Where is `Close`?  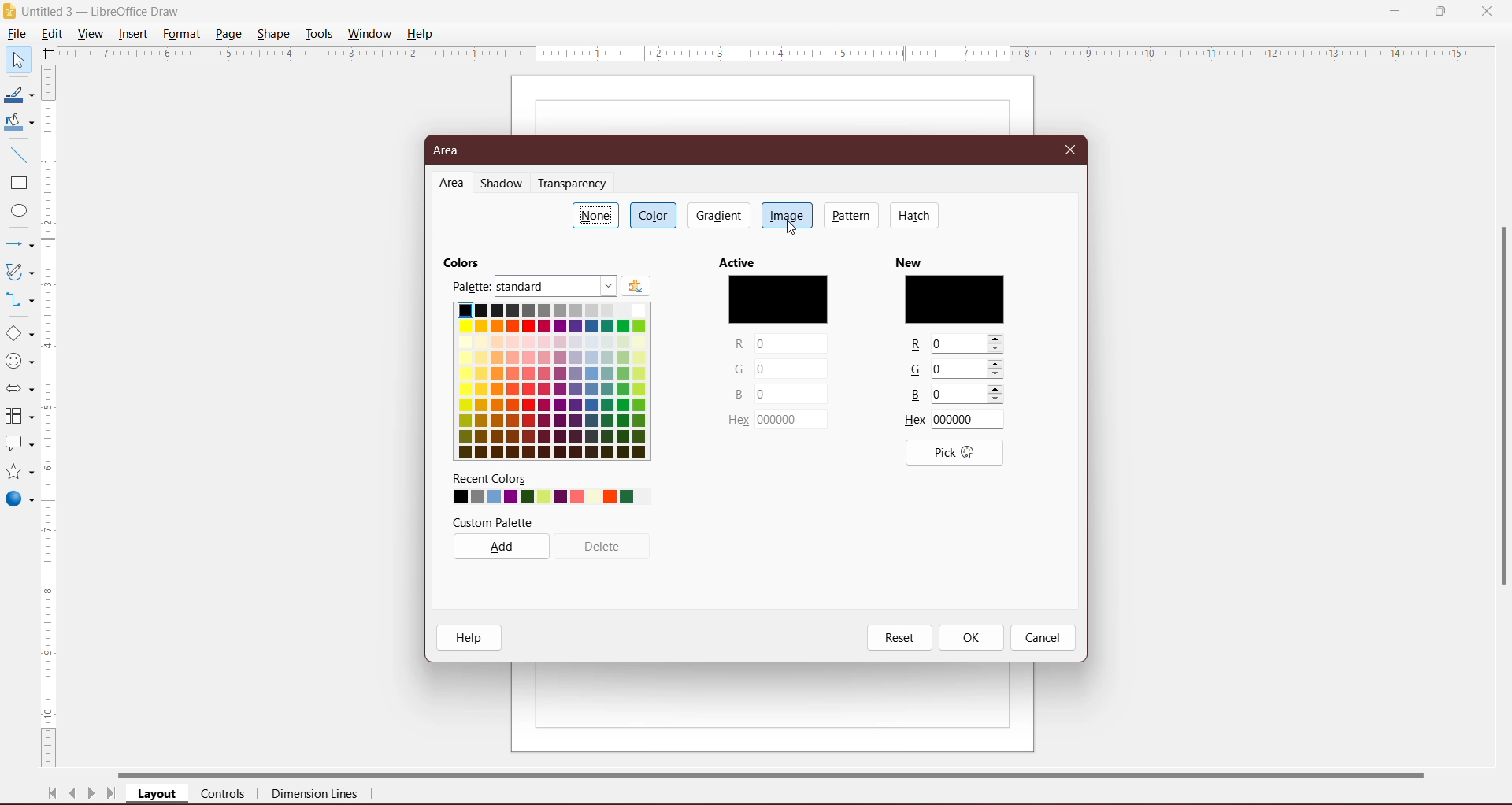
Close is located at coordinates (1071, 148).